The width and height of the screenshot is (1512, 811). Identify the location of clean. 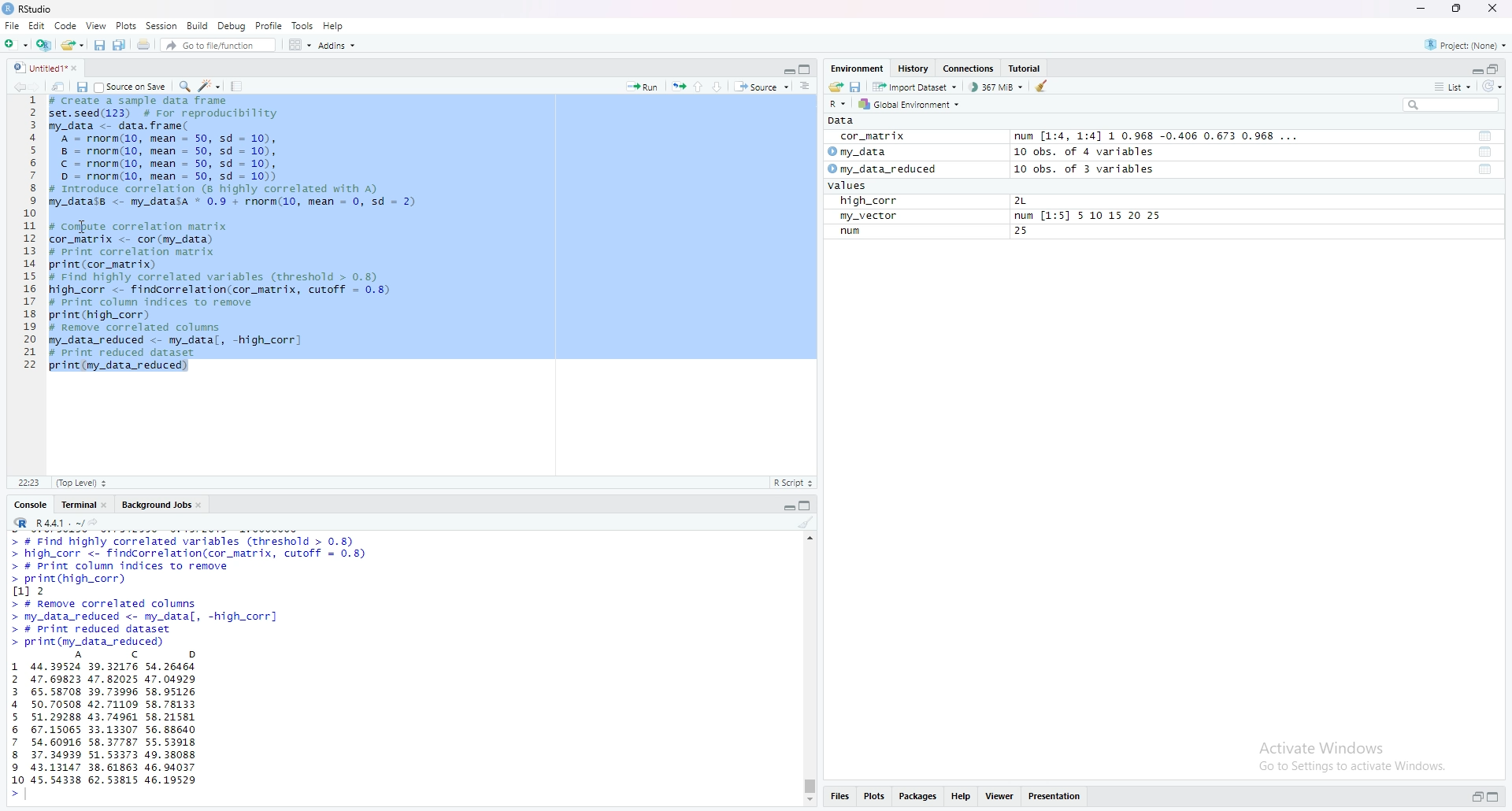
(806, 521).